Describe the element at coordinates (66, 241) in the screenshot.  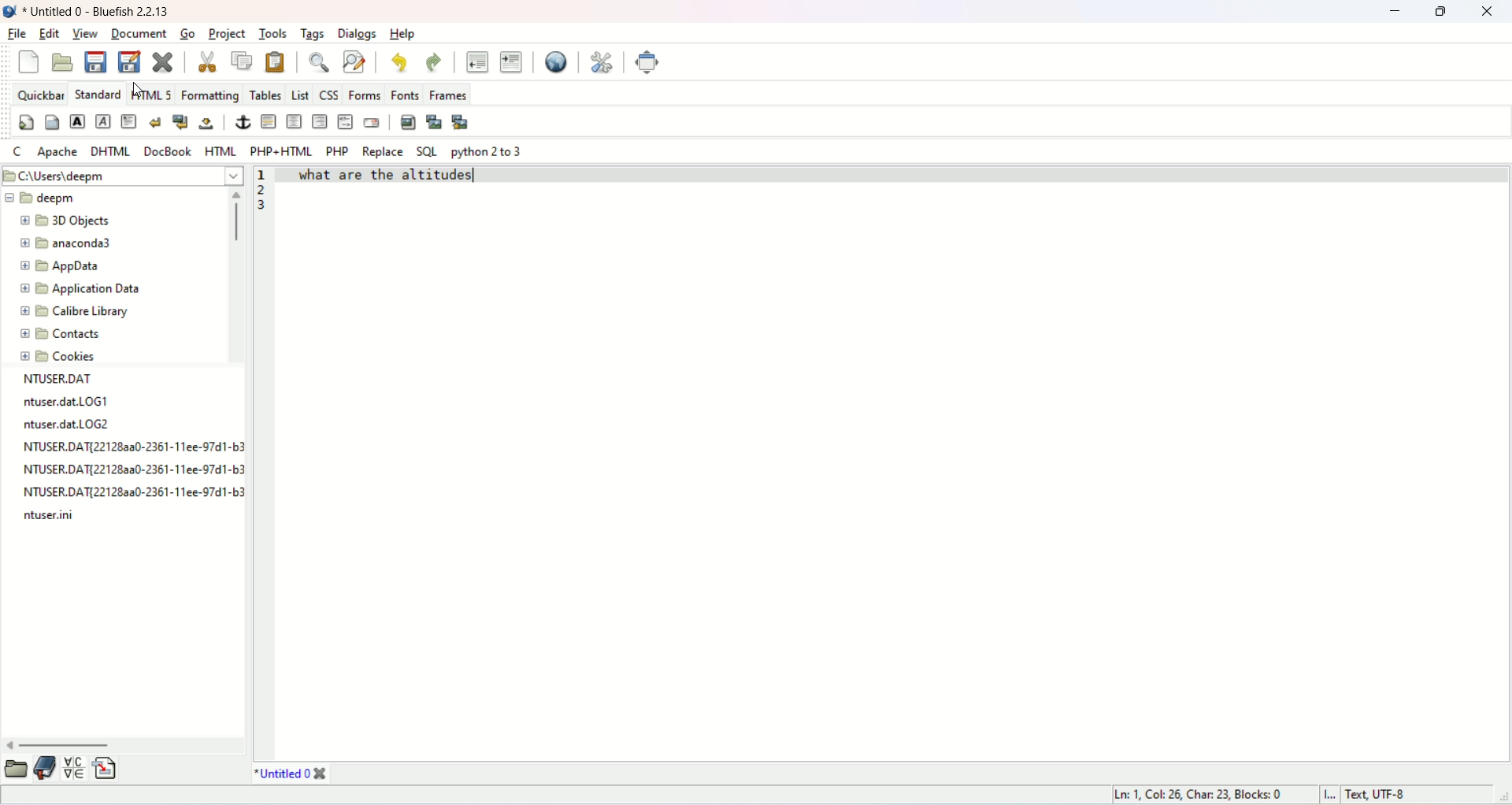
I see `anaconda` at that location.